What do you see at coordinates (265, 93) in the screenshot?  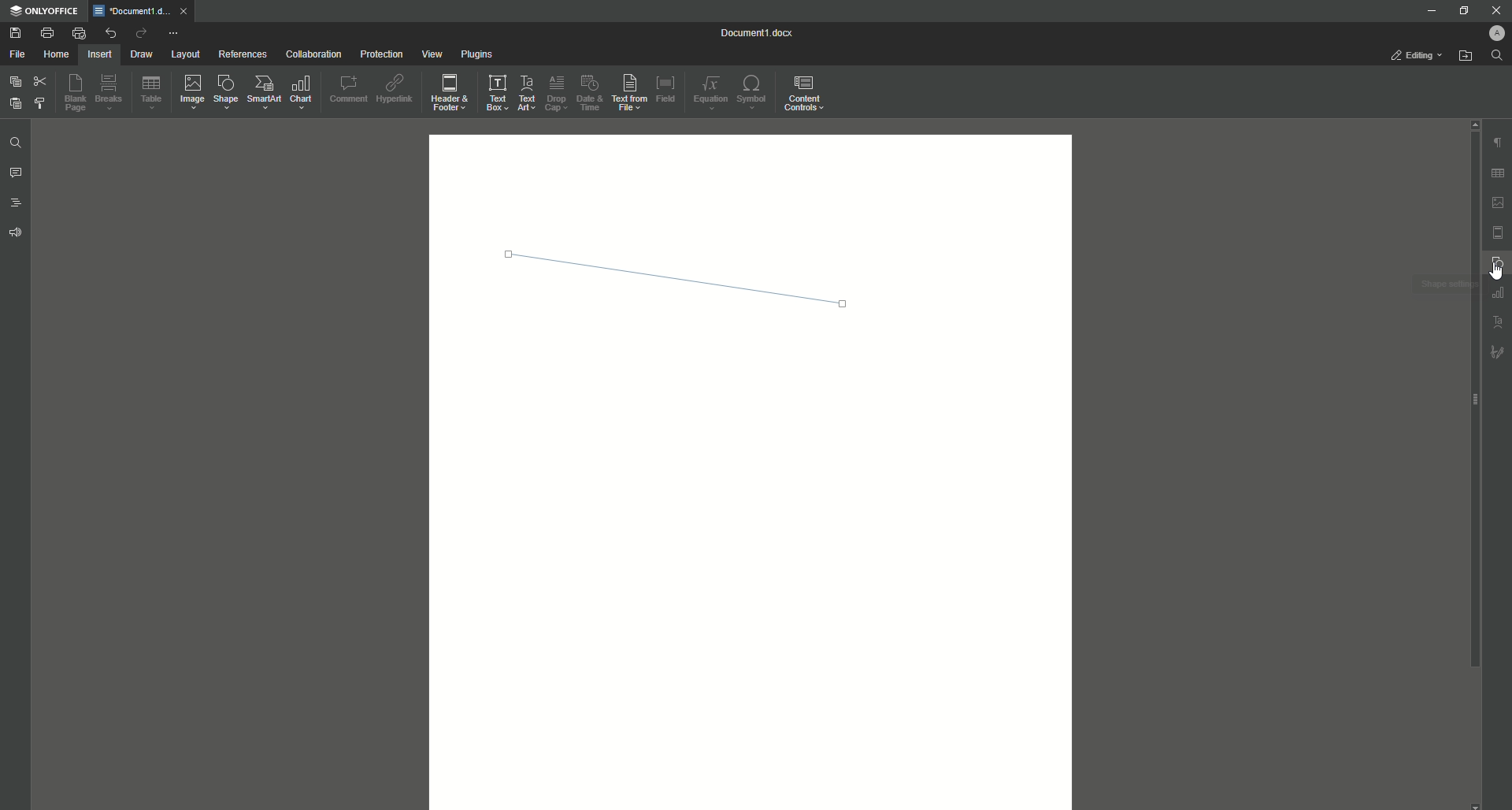 I see `SmartArt` at bounding box center [265, 93].